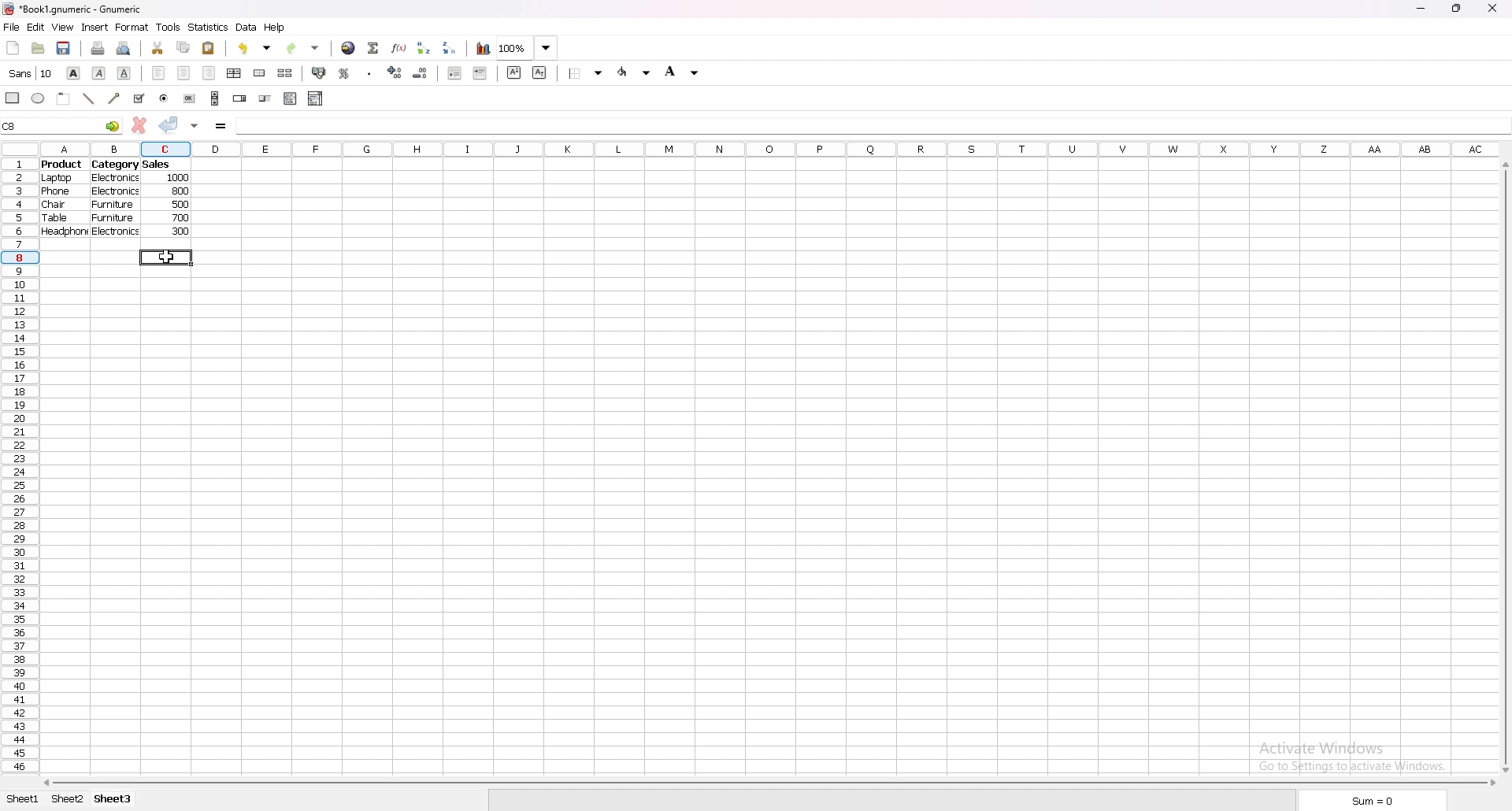 The image size is (1512, 811). I want to click on copy, so click(184, 46).